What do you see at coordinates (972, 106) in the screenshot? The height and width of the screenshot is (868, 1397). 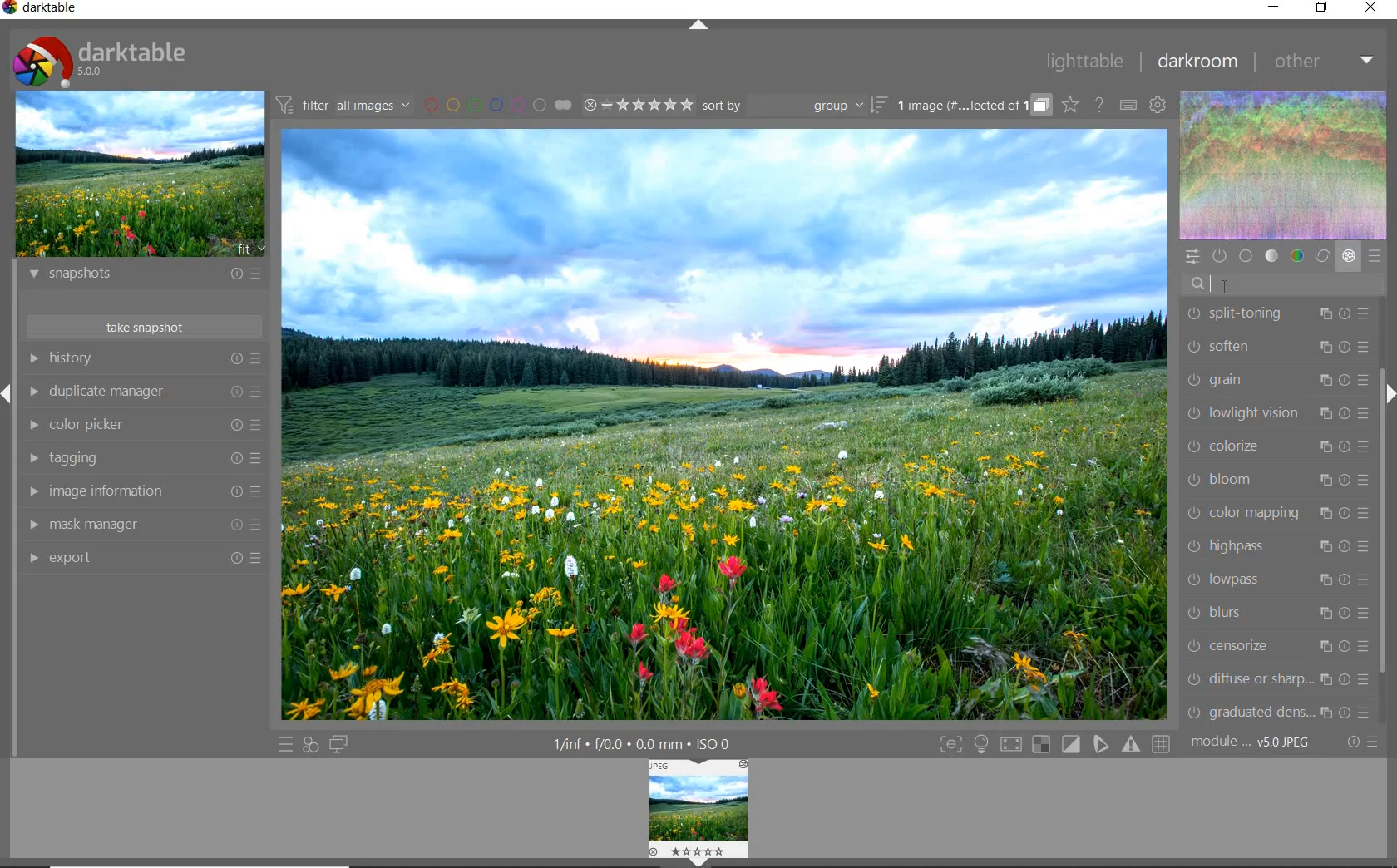 I see `grouped images` at bounding box center [972, 106].